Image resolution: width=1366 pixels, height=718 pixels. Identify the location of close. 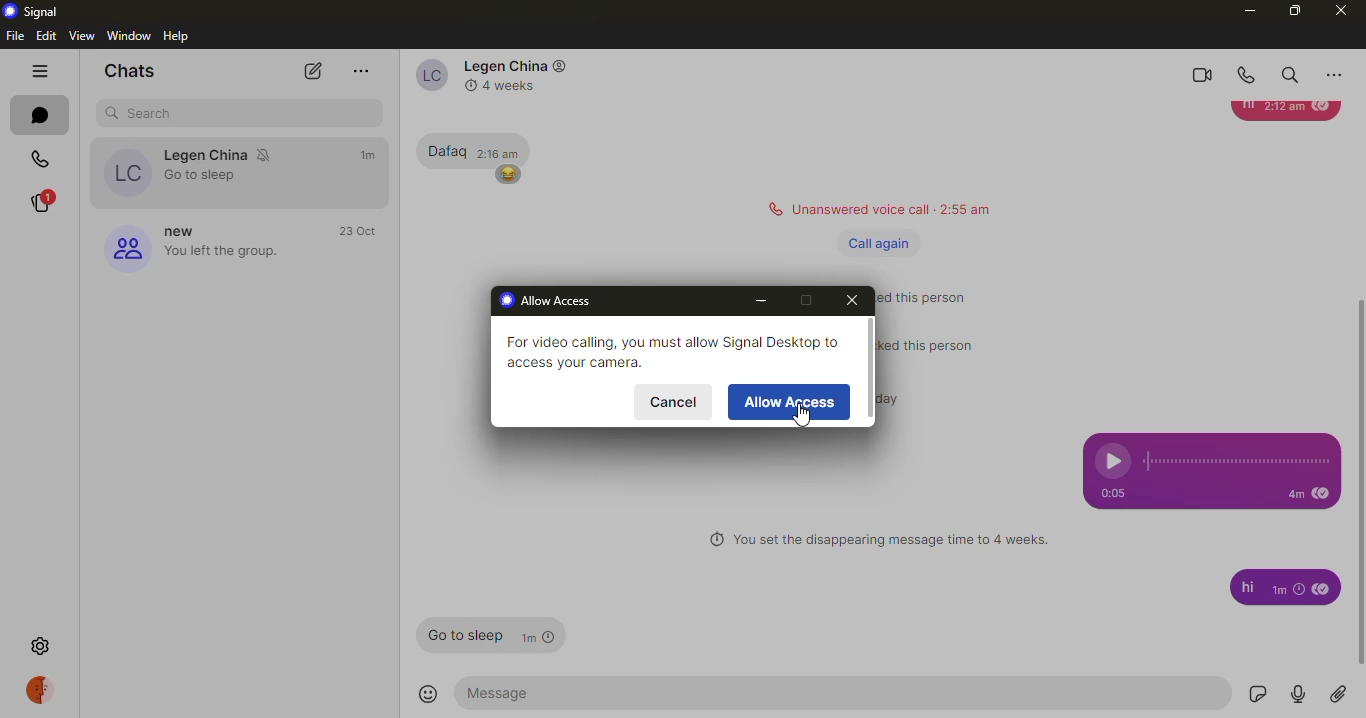
(853, 299).